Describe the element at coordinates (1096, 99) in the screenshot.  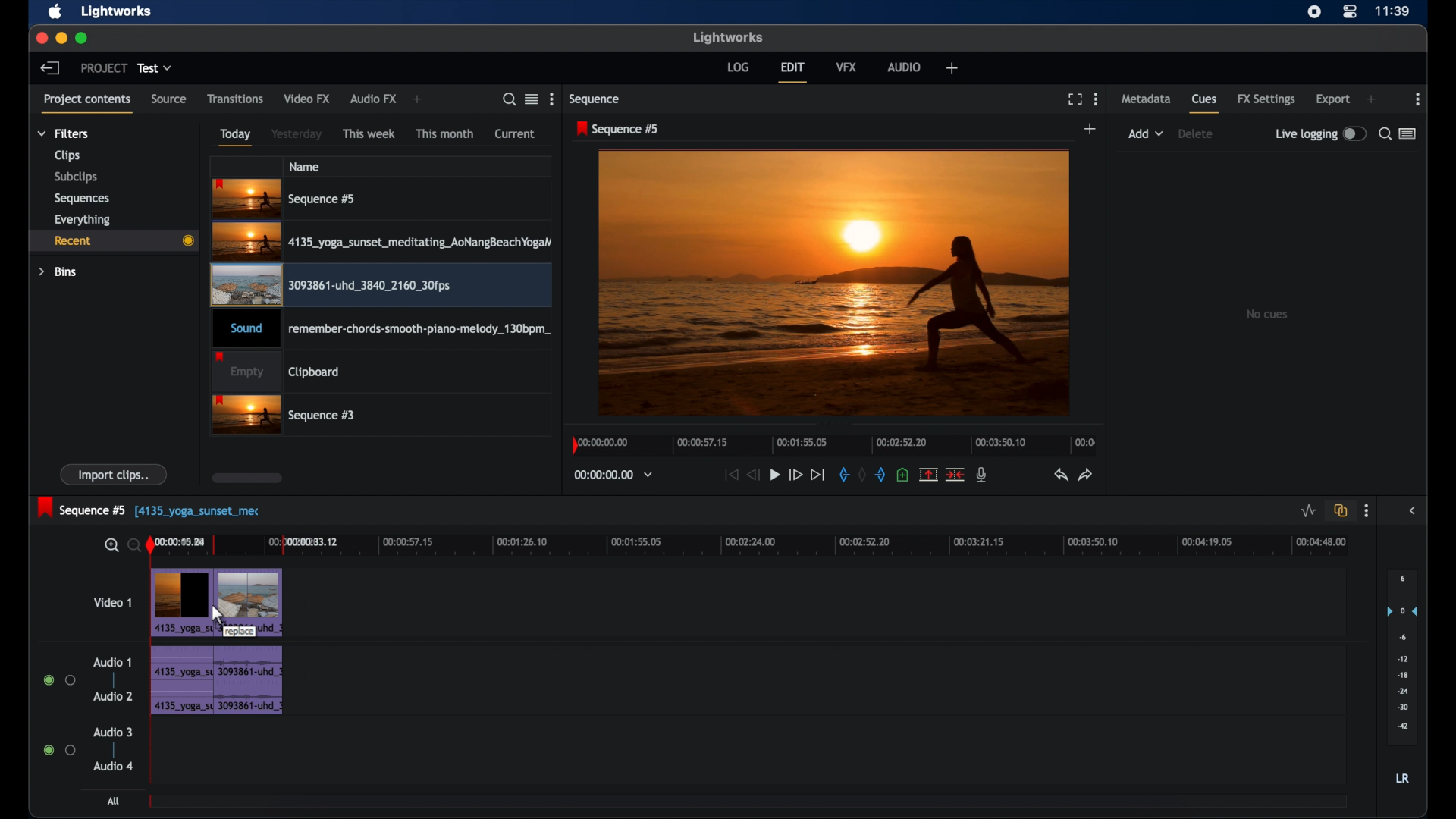
I see `more options` at that location.